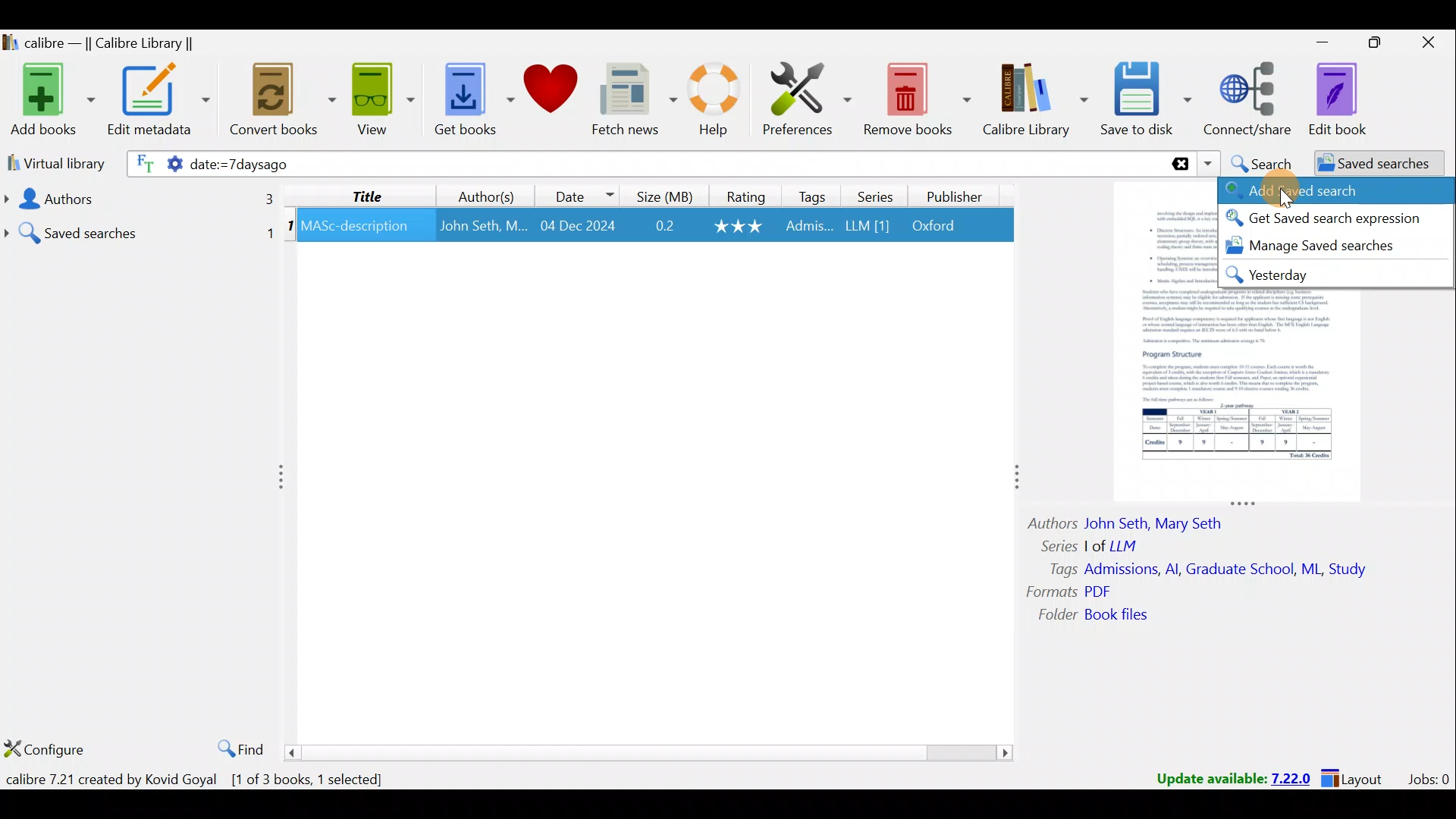  Describe the element at coordinates (1319, 275) in the screenshot. I see `Yesterday` at that location.